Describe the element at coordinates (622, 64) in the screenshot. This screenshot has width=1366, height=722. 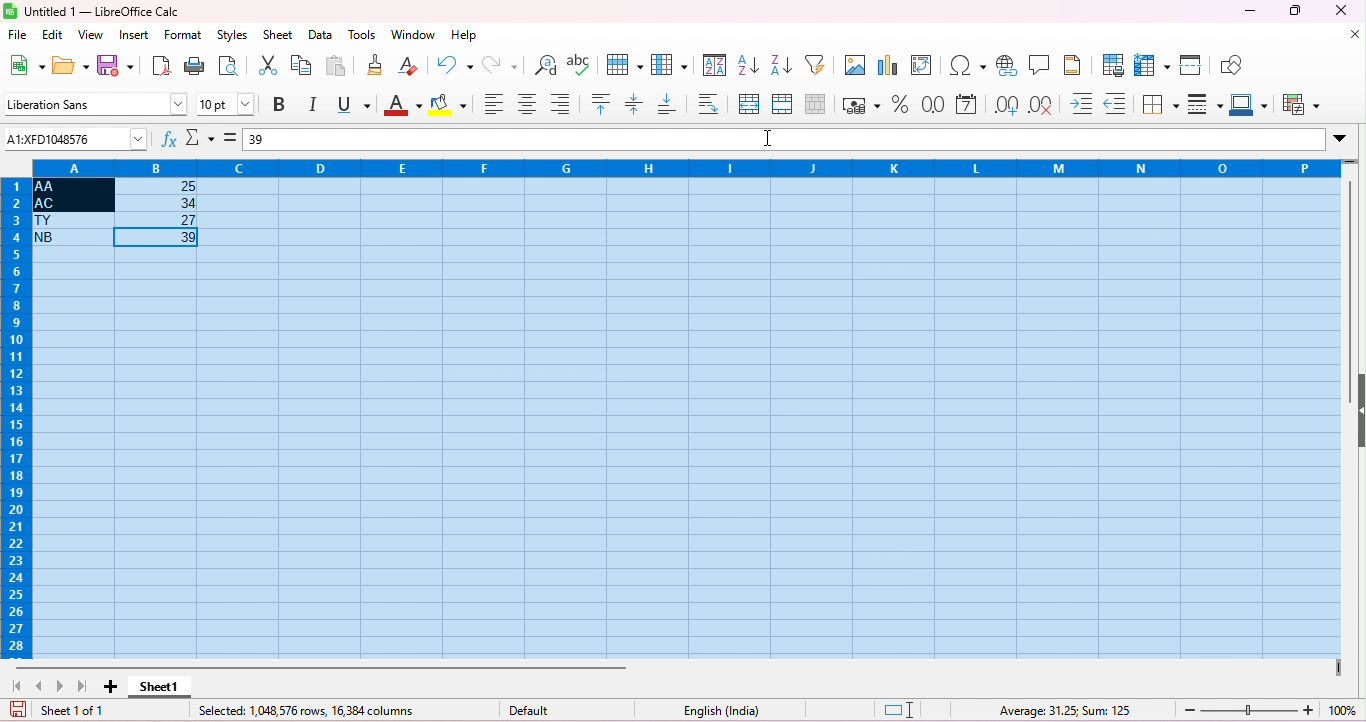
I see `row` at that location.